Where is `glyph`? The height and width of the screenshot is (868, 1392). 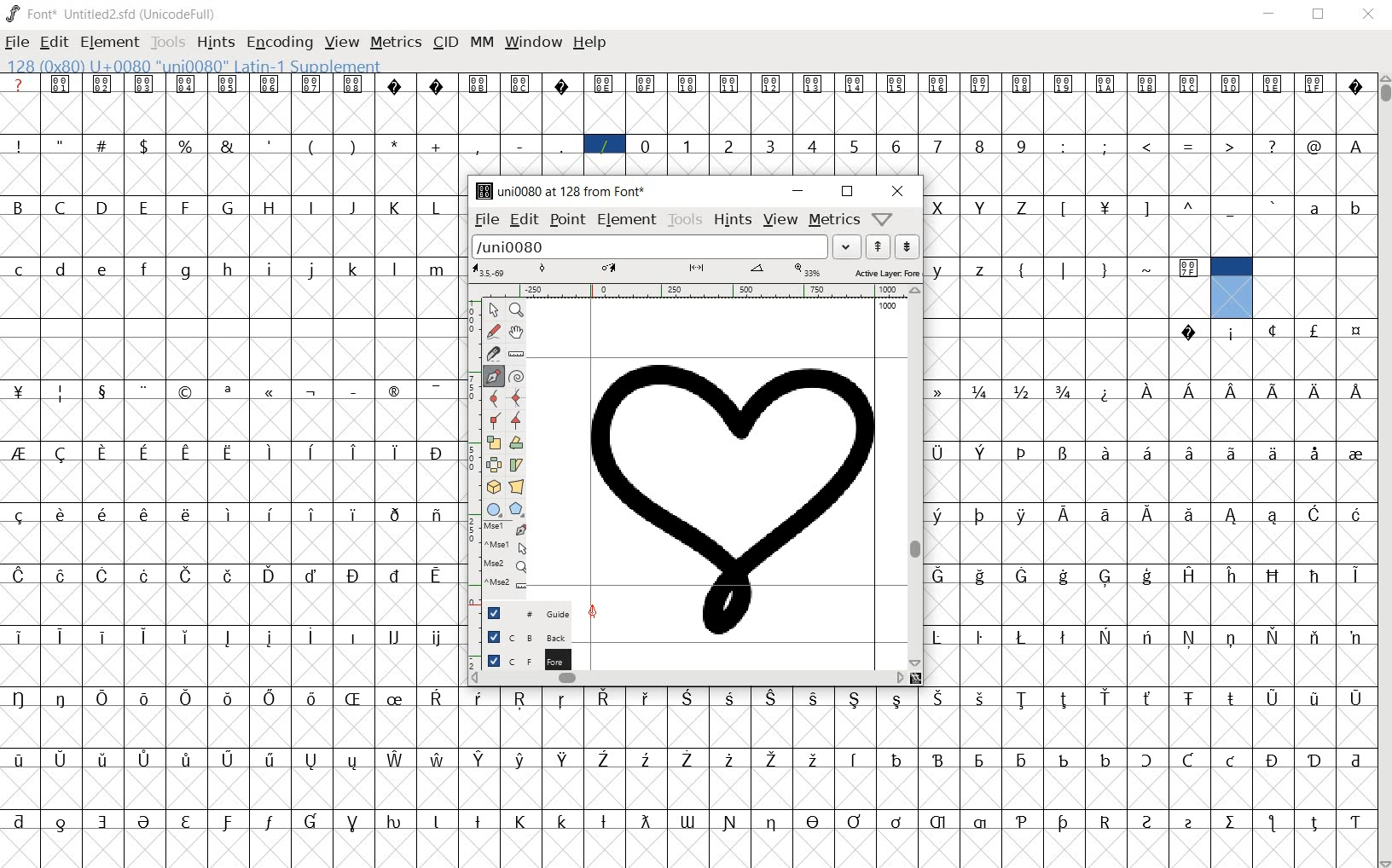 glyph is located at coordinates (980, 516).